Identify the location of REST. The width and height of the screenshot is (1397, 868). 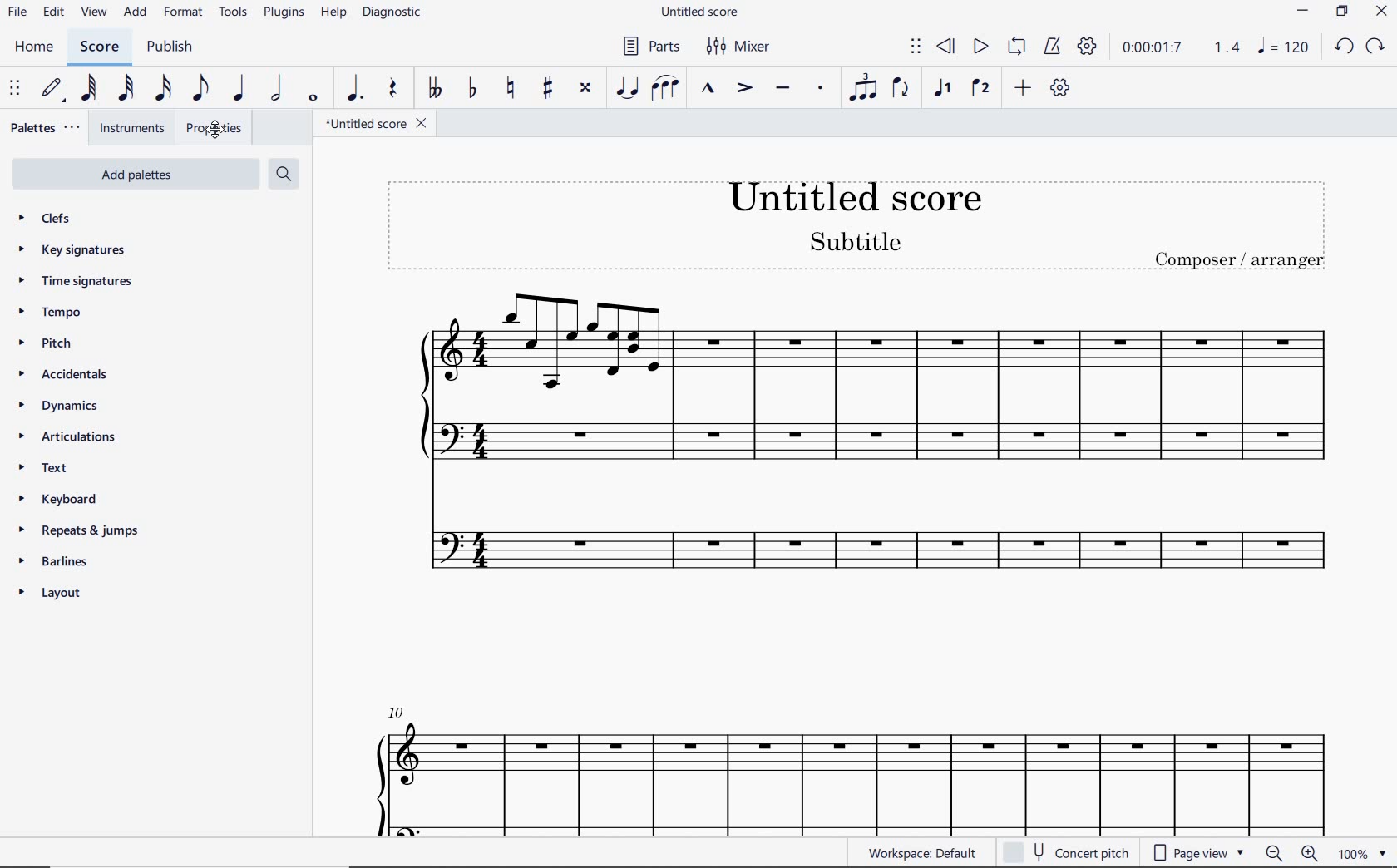
(392, 89).